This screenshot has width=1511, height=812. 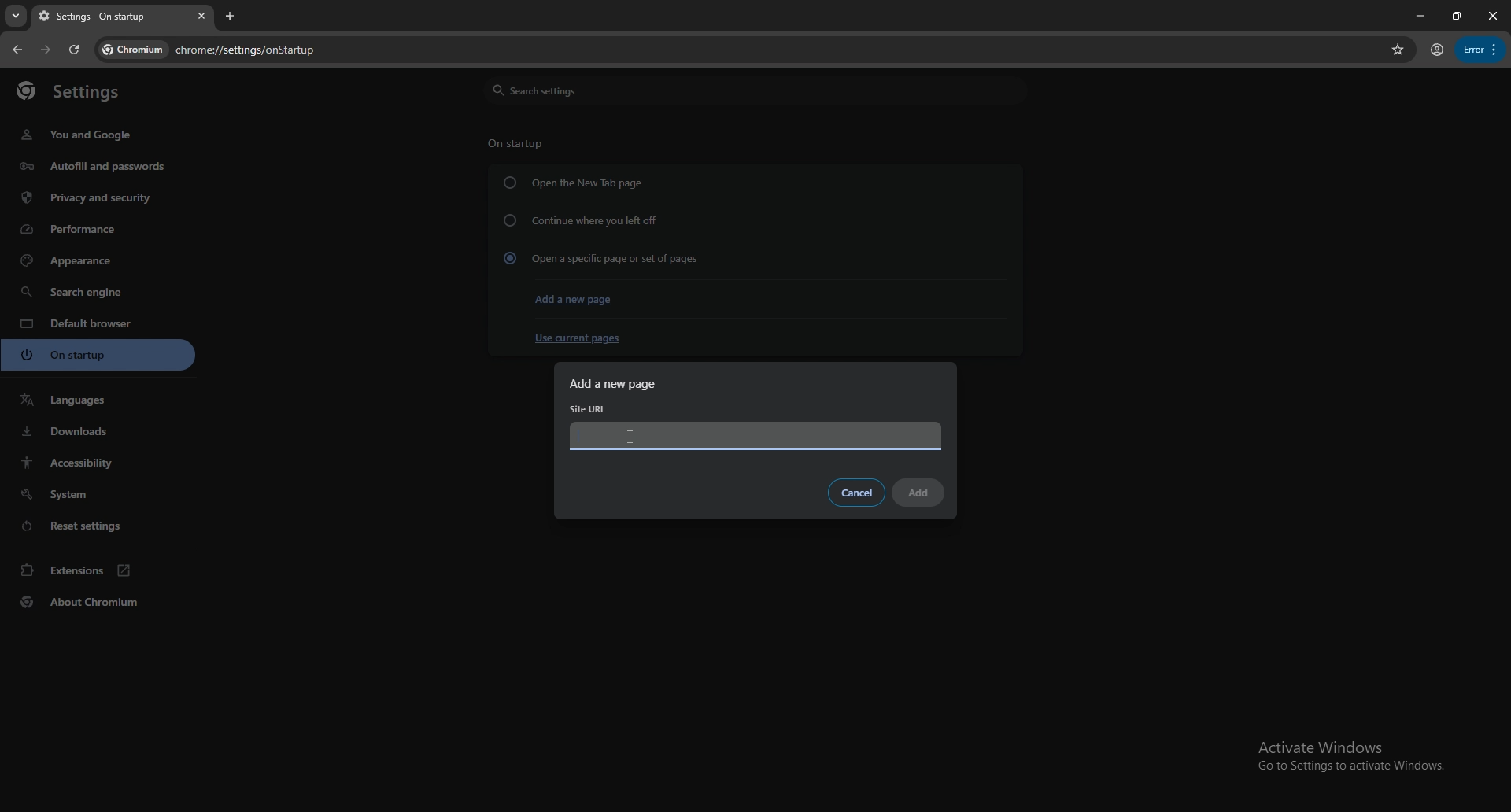 What do you see at coordinates (1398, 49) in the screenshot?
I see `favorites` at bounding box center [1398, 49].